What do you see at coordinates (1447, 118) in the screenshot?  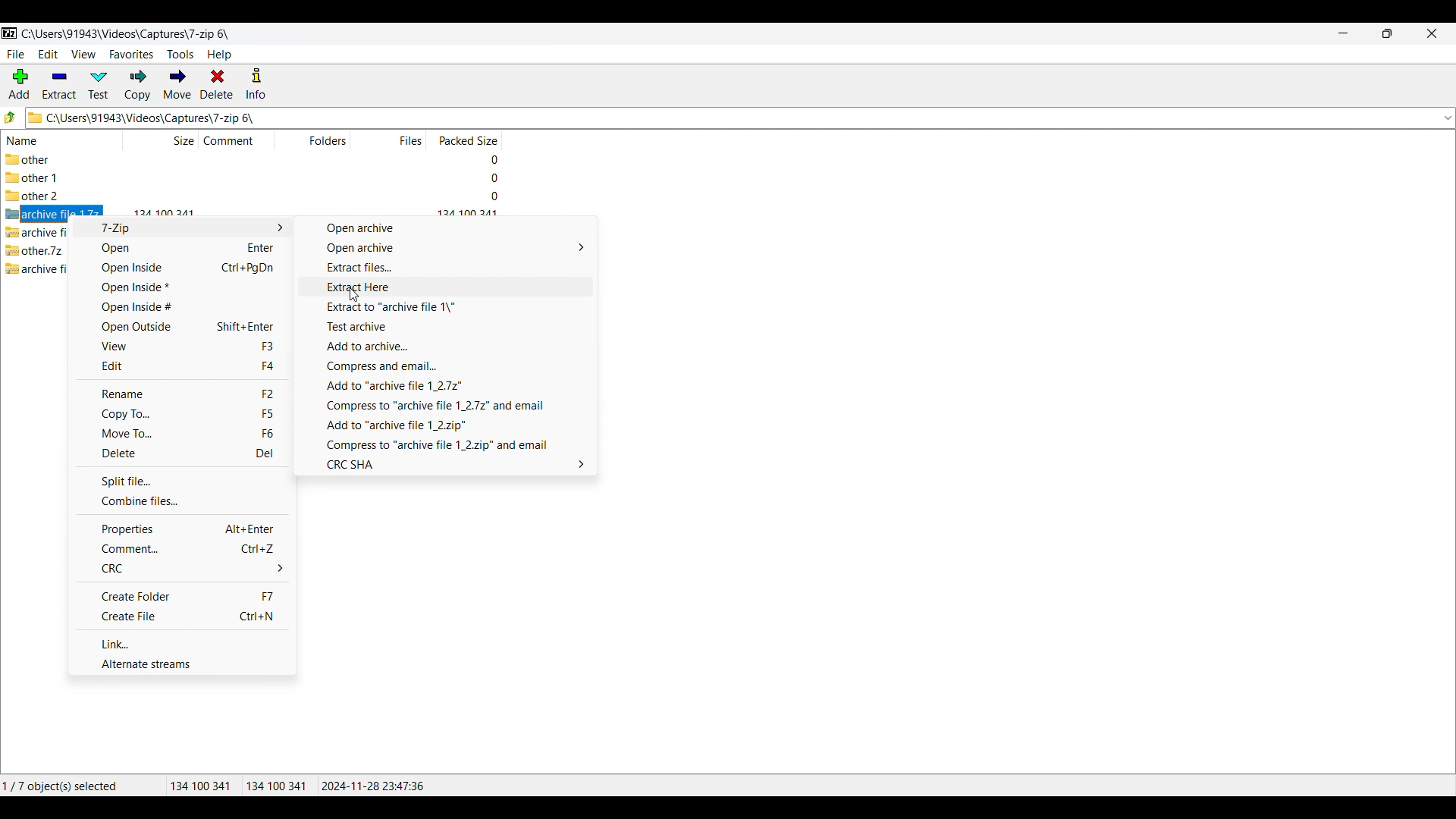 I see `dropdown` at bounding box center [1447, 118].